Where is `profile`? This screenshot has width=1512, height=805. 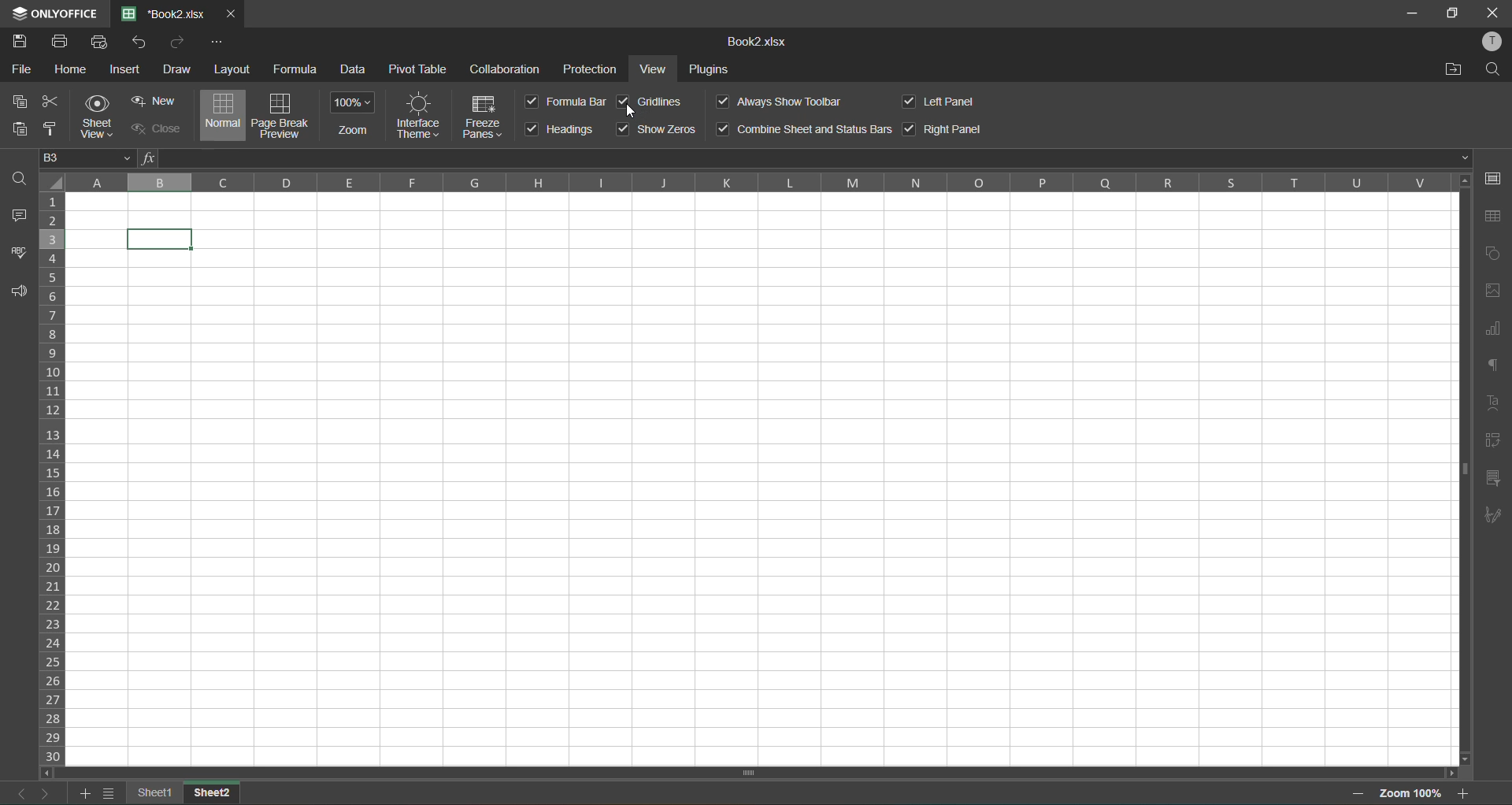 profile is located at coordinates (1492, 41).